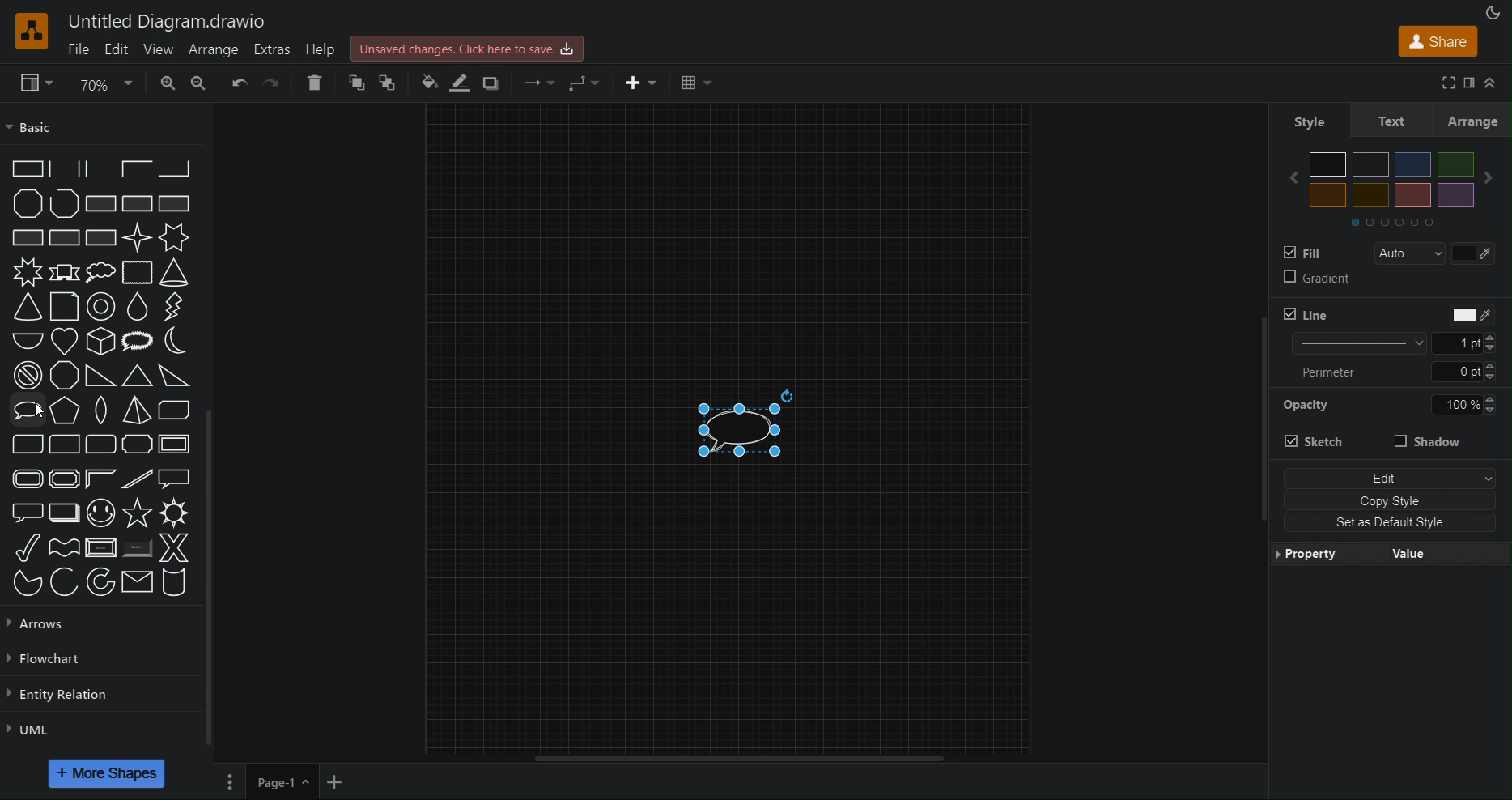 The image size is (1512, 800). Describe the element at coordinates (100, 583) in the screenshot. I see `Partial Concentric Ellipse` at that location.